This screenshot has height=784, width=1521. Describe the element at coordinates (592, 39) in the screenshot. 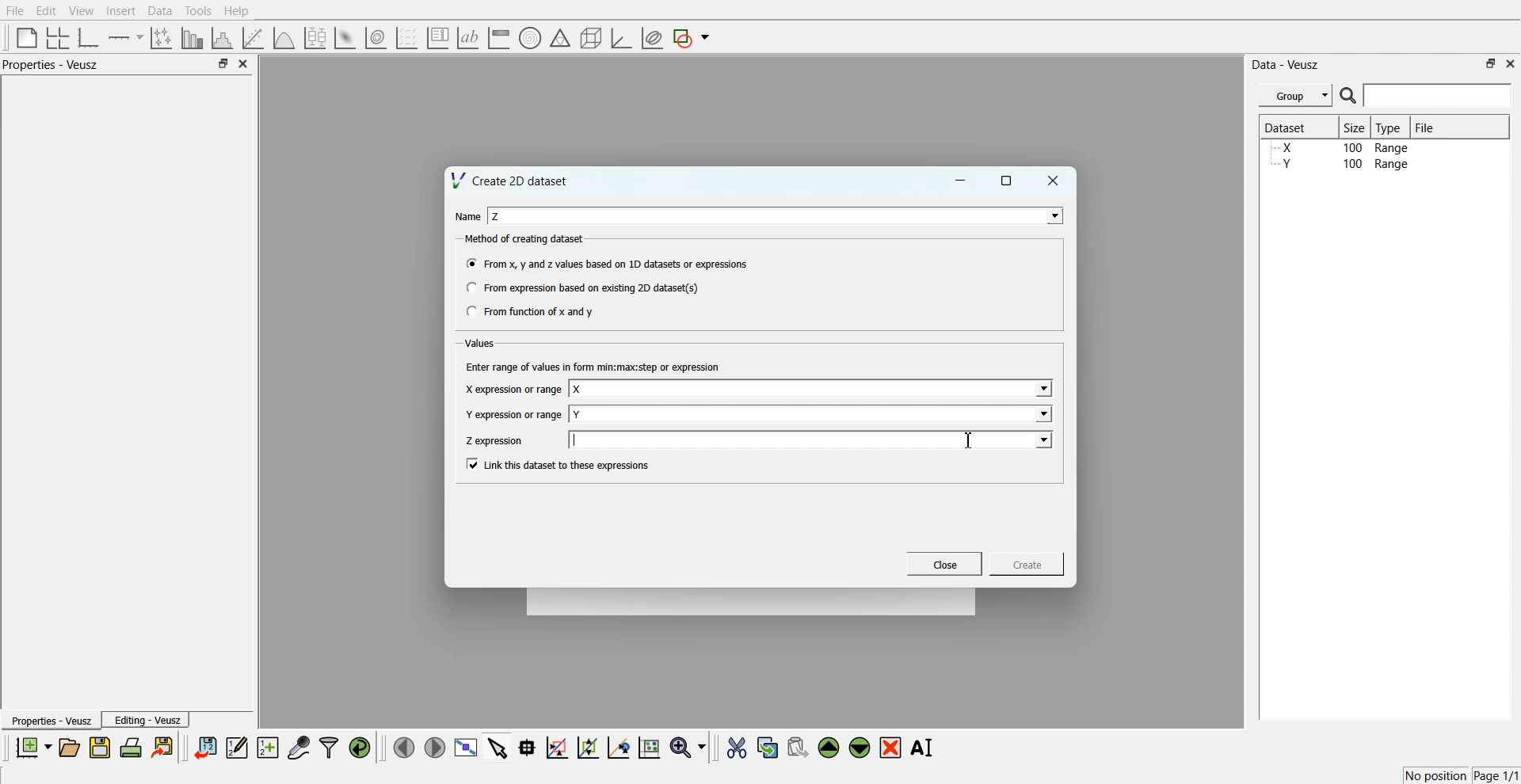

I see `3D Scene` at that location.